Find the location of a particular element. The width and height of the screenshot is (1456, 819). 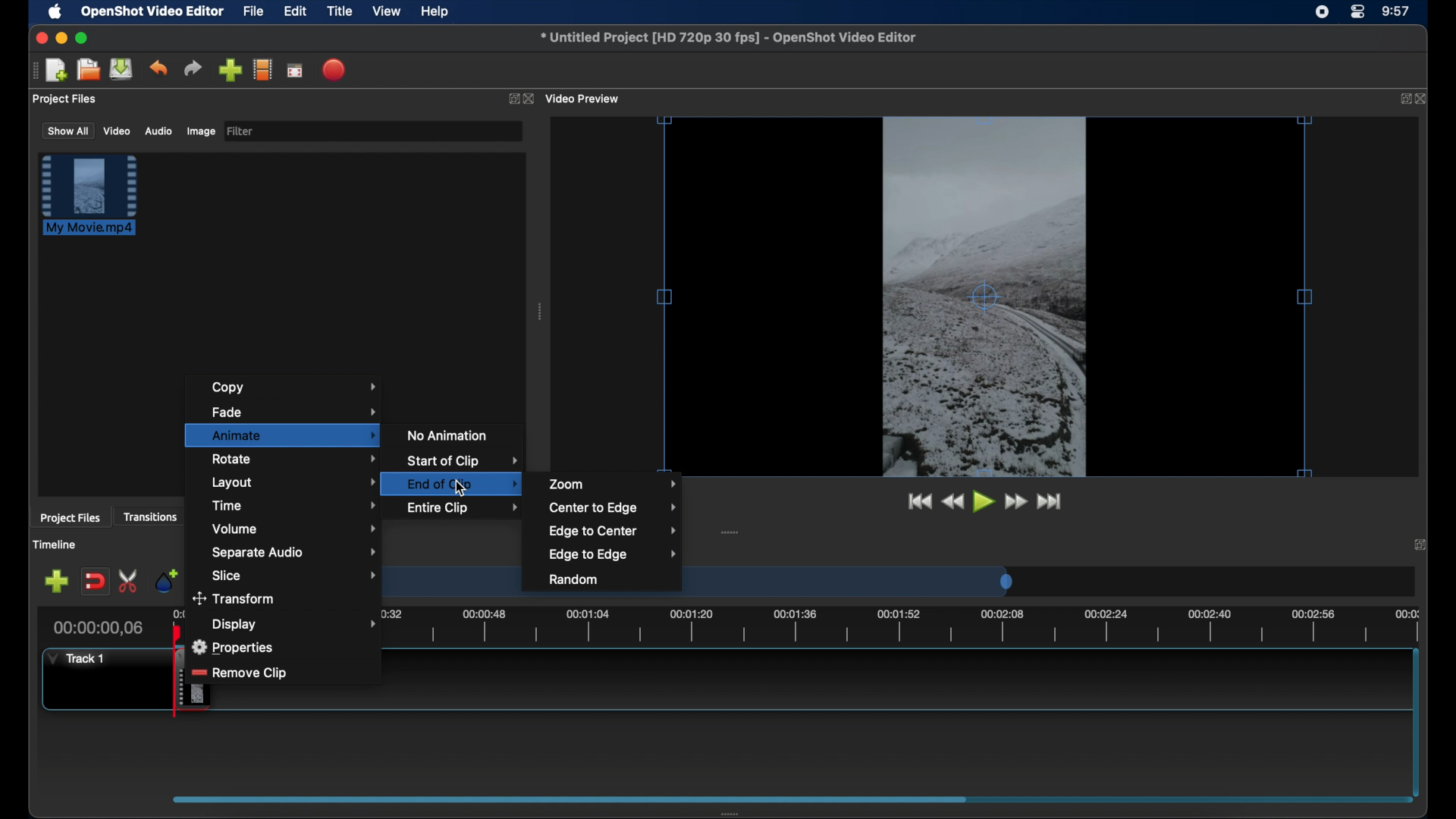

drag handle is located at coordinates (34, 71).